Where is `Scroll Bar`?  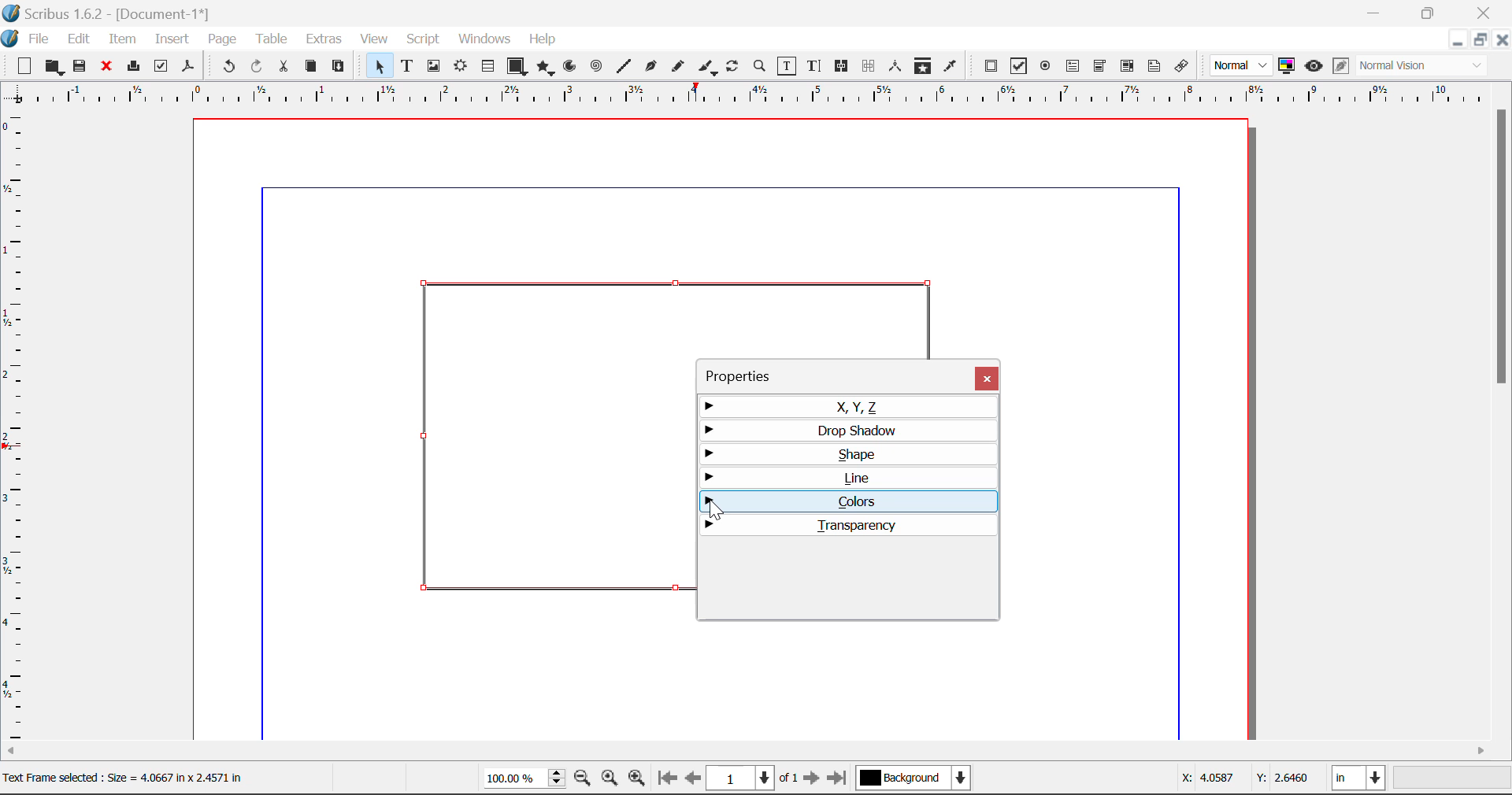 Scroll Bar is located at coordinates (757, 752).